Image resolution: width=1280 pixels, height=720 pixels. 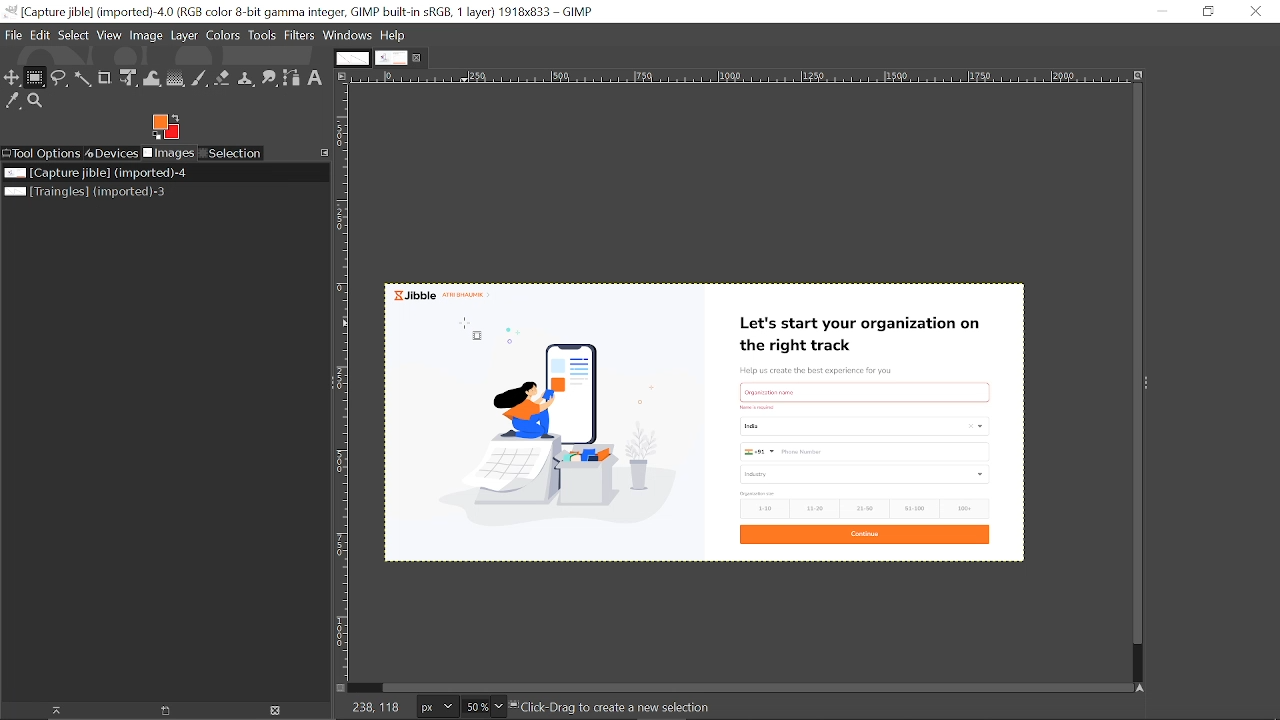 I want to click on Paths tool, so click(x=292, y=78).